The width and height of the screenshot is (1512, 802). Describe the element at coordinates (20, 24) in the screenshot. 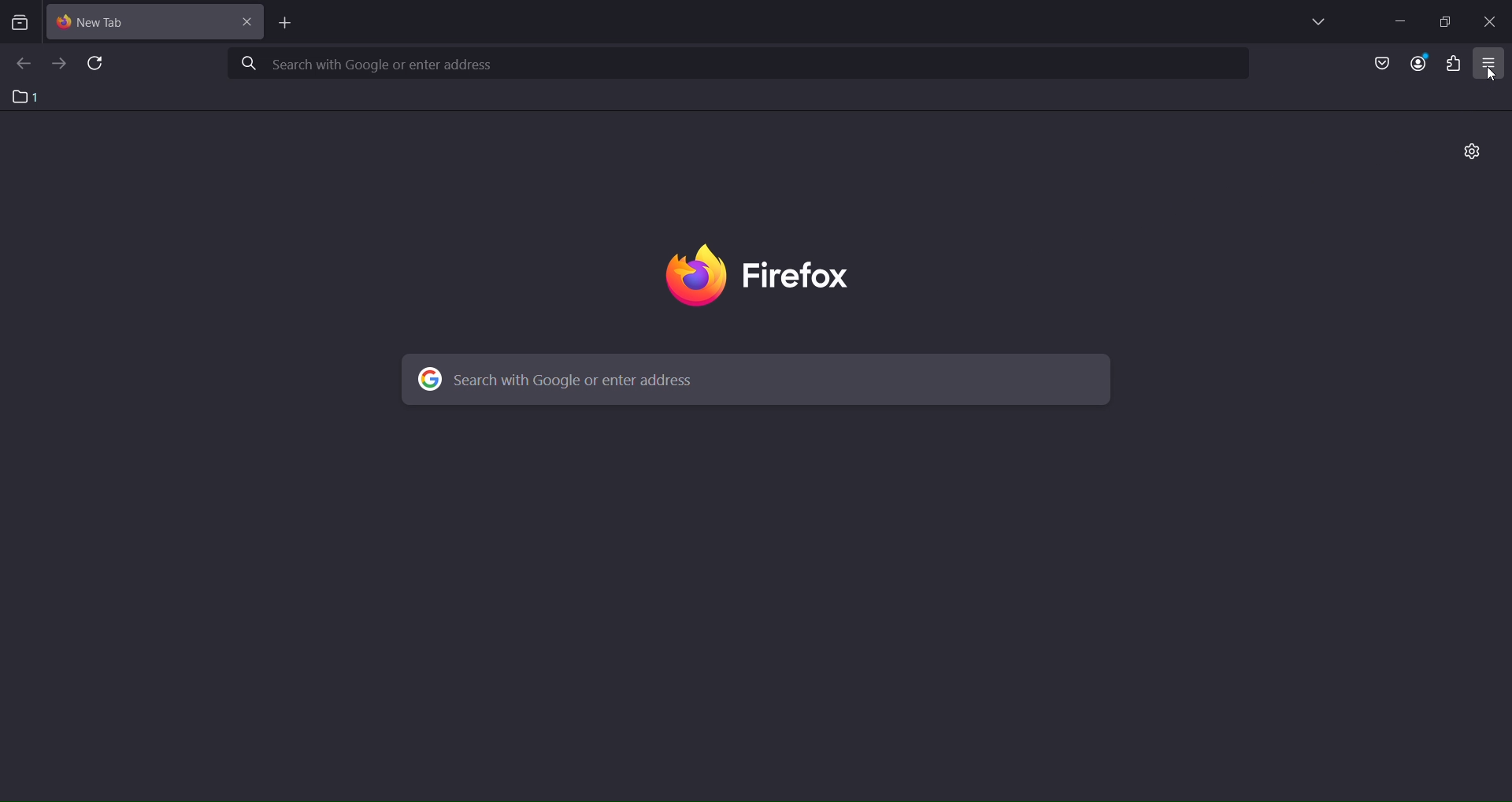

I see `search tab` at that location.